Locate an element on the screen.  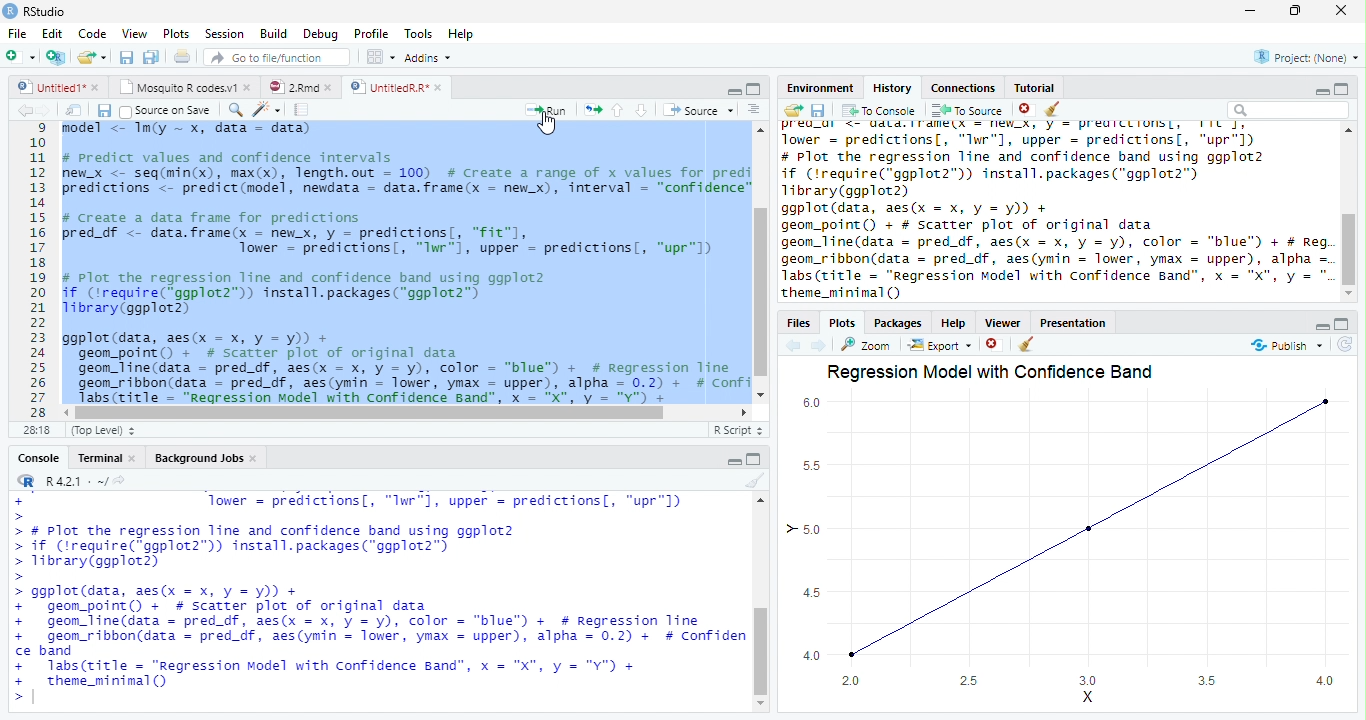
Next is located at coordinates (818, 347).